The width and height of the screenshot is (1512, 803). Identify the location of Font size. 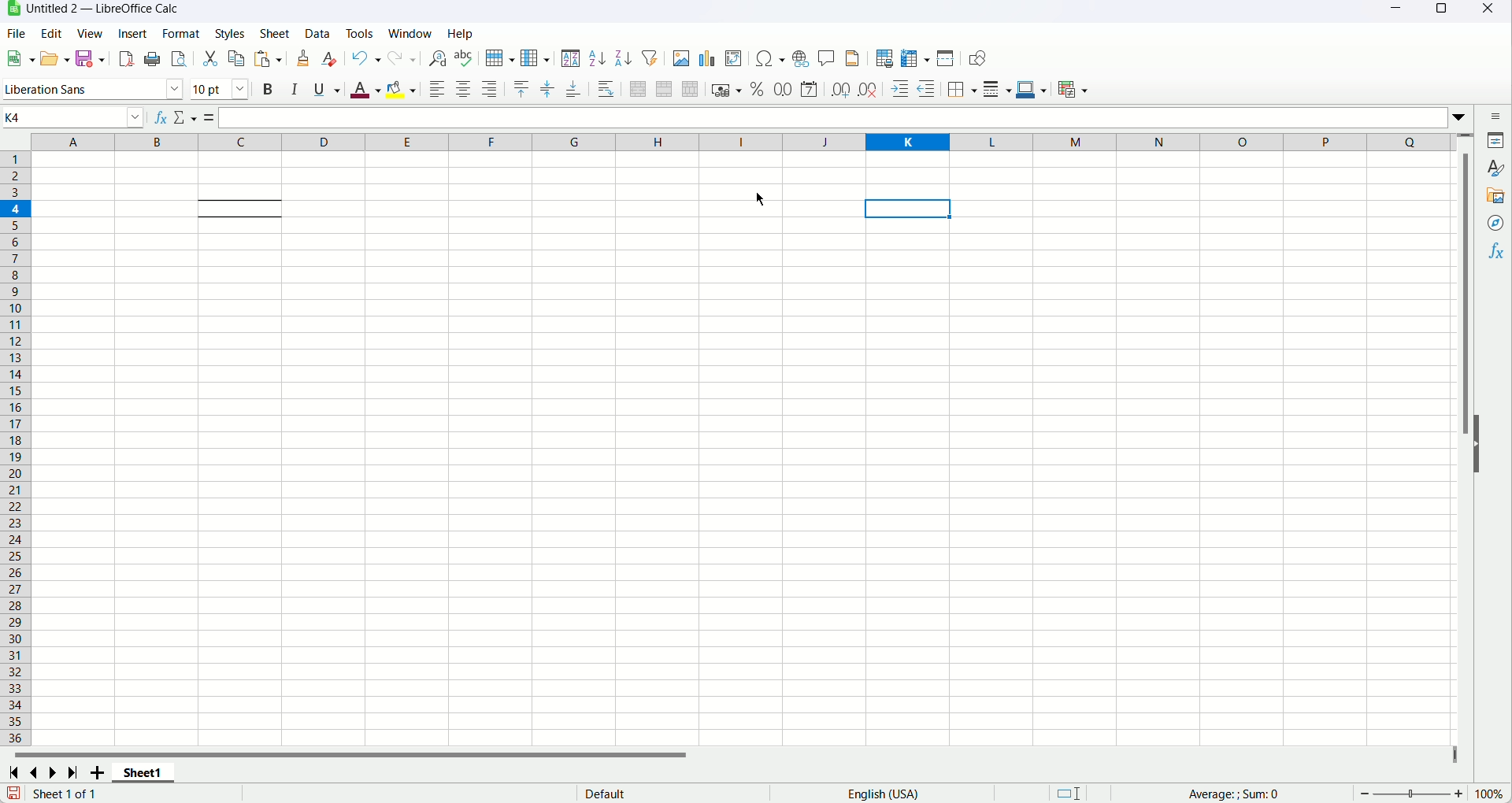
(220, 89).